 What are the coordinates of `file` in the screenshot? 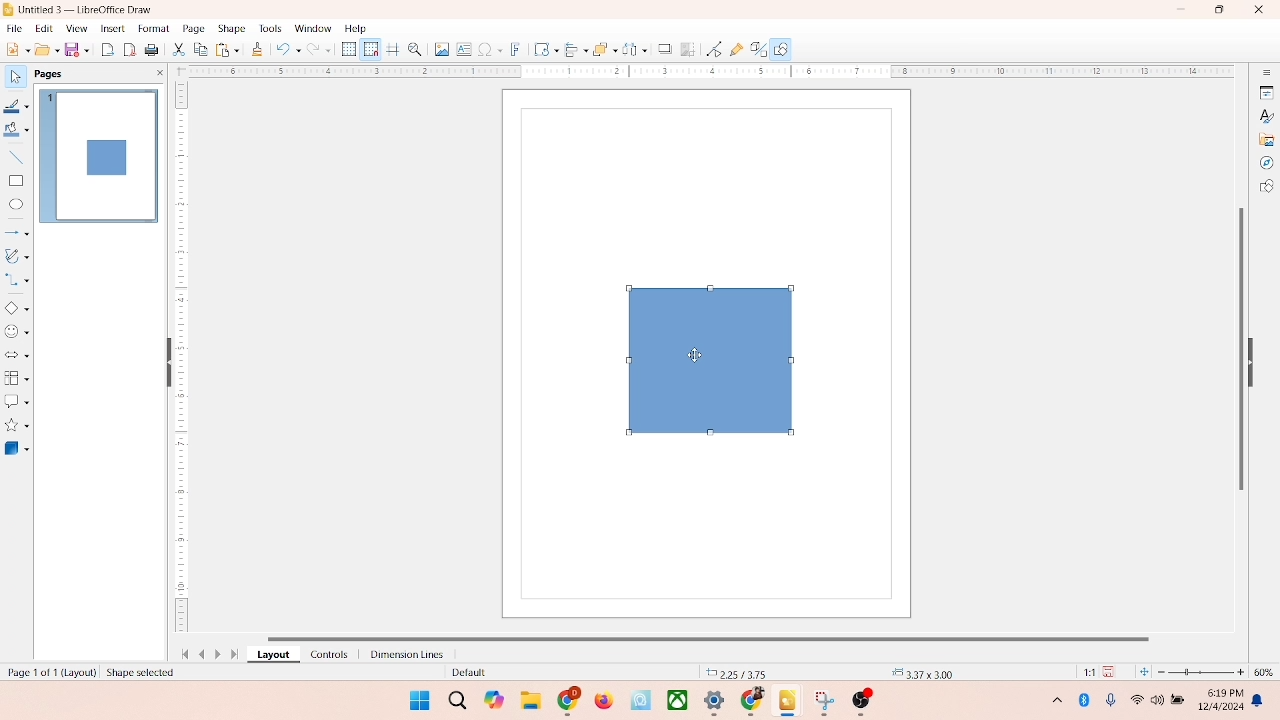 It's located at (15, 26).